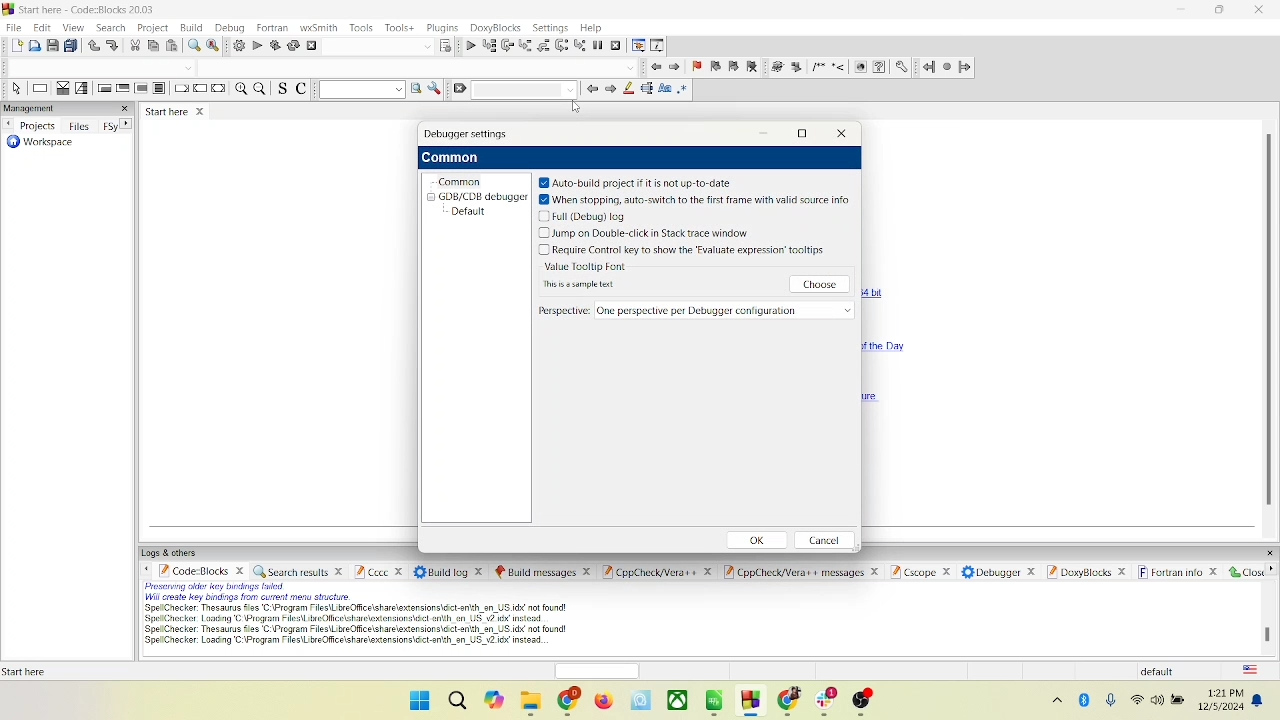 This screenshot has width=1280, height=720. I want to click on clear, so click(462, 90).